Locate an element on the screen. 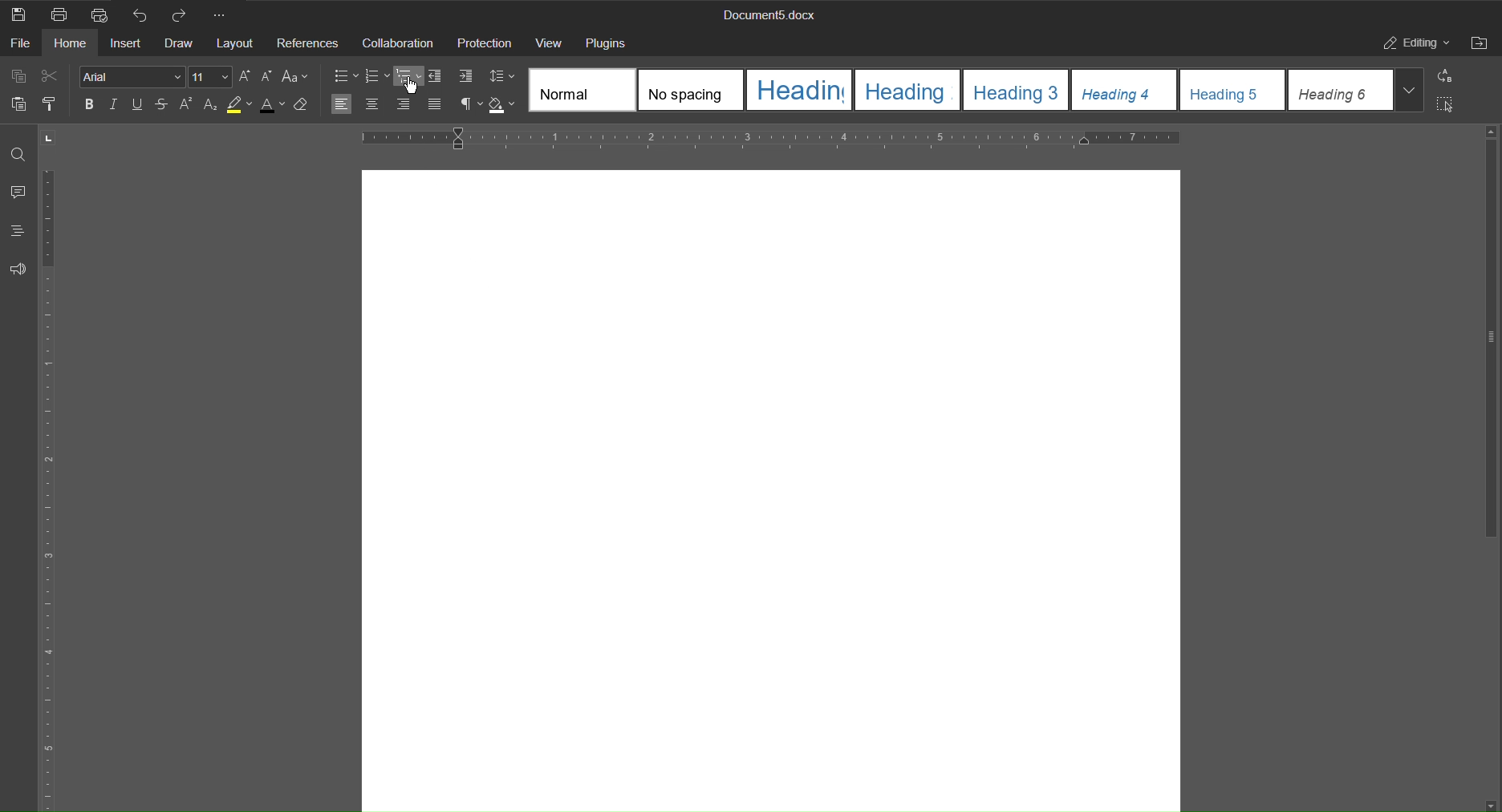 The image size is (1502, 812). numbering is located at coordinates (376, 76).